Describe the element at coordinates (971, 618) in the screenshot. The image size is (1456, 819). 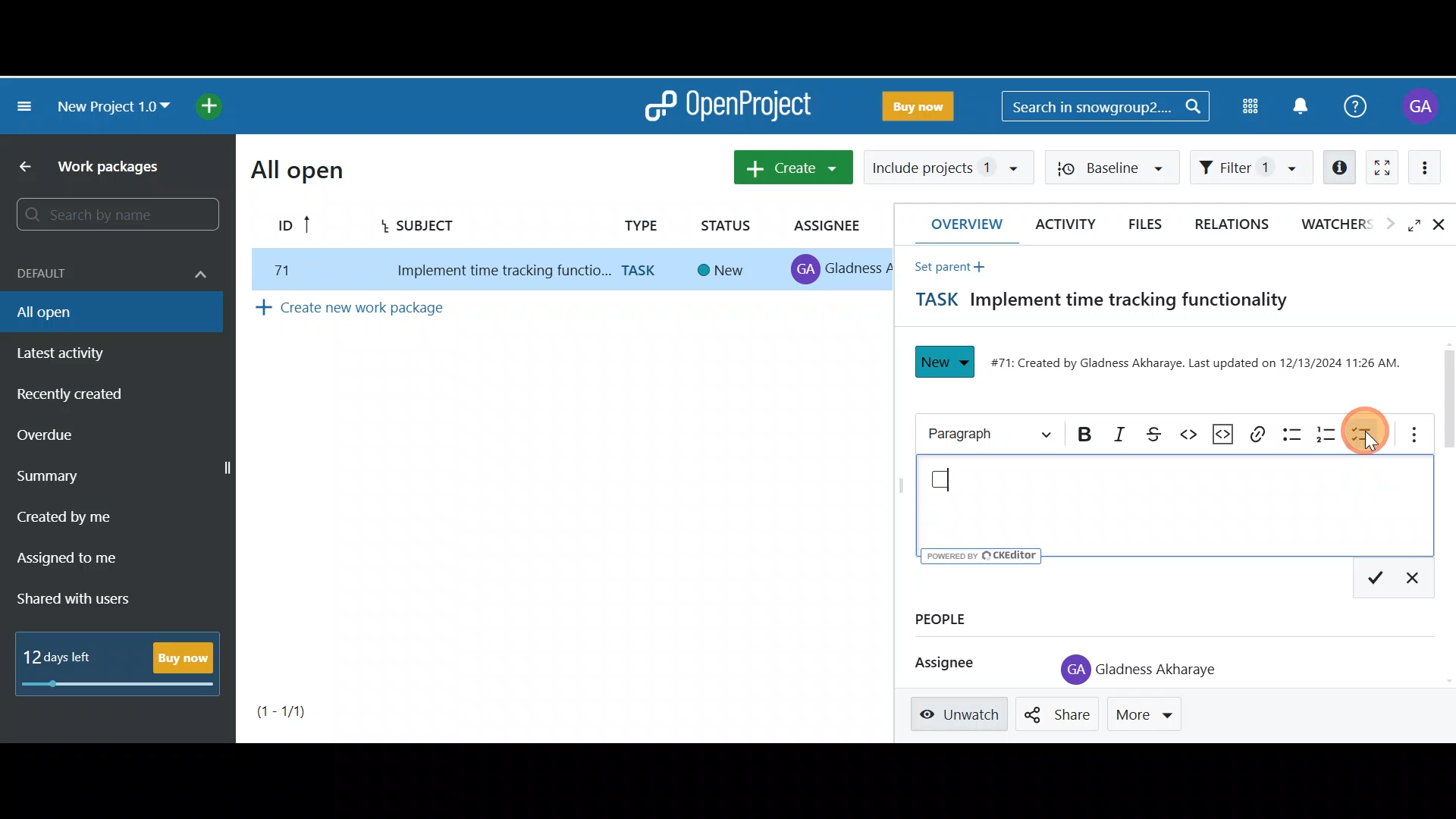
I see `People` at that location.